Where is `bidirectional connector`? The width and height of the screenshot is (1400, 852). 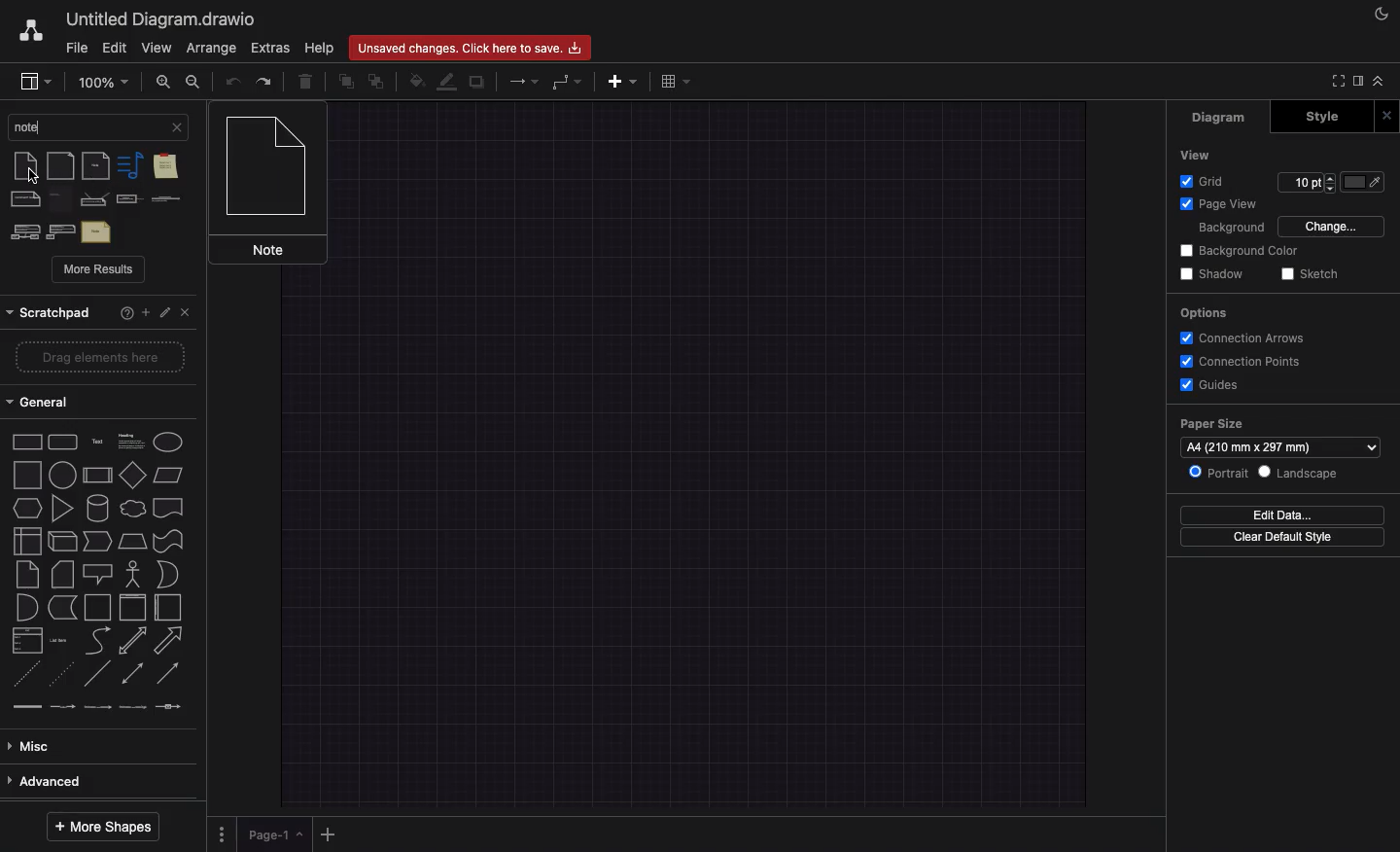
bidirectional connector is located at coordinates (133, 676).